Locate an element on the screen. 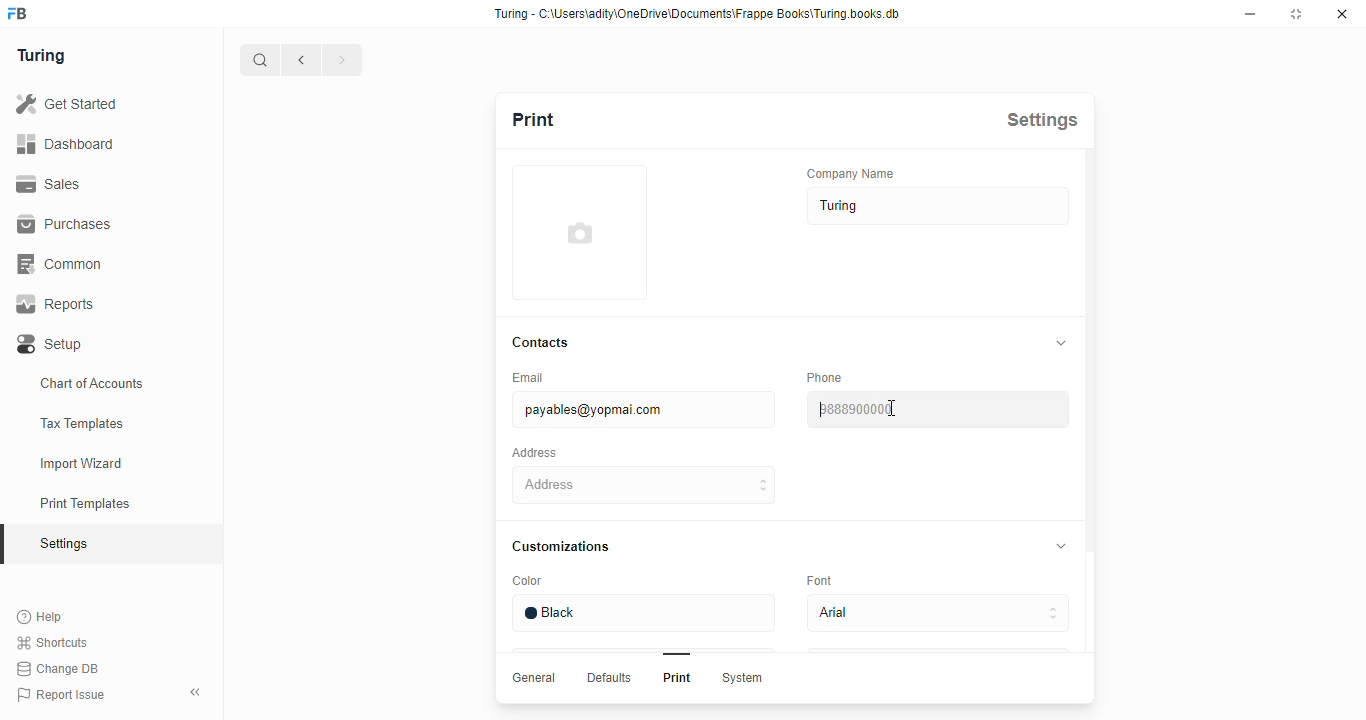 Image resolution: width=1366 pixels, height=720 pixels. Get Started is located at coordinates (91, 102).